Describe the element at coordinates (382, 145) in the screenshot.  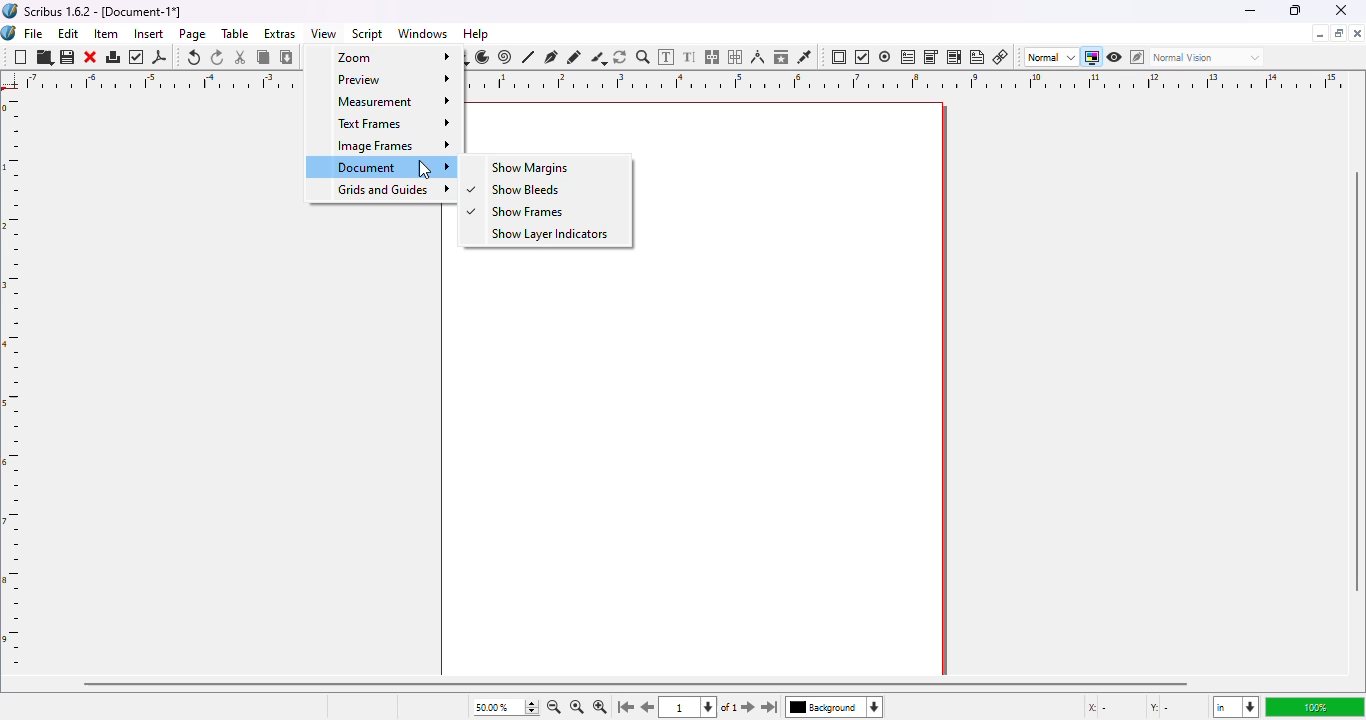
I see `image frames` at that location.